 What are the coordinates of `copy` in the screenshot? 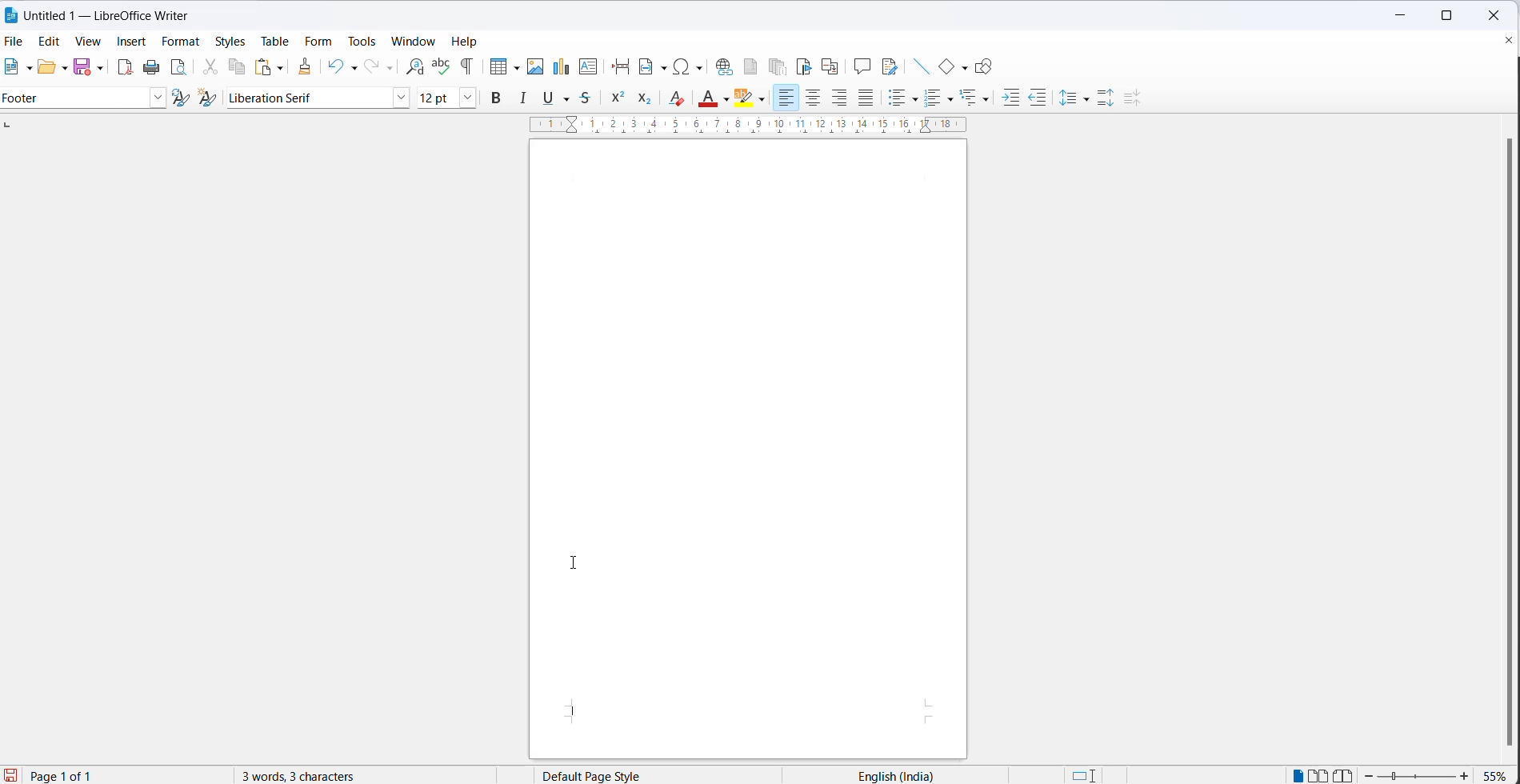 It's located at (237, 67).